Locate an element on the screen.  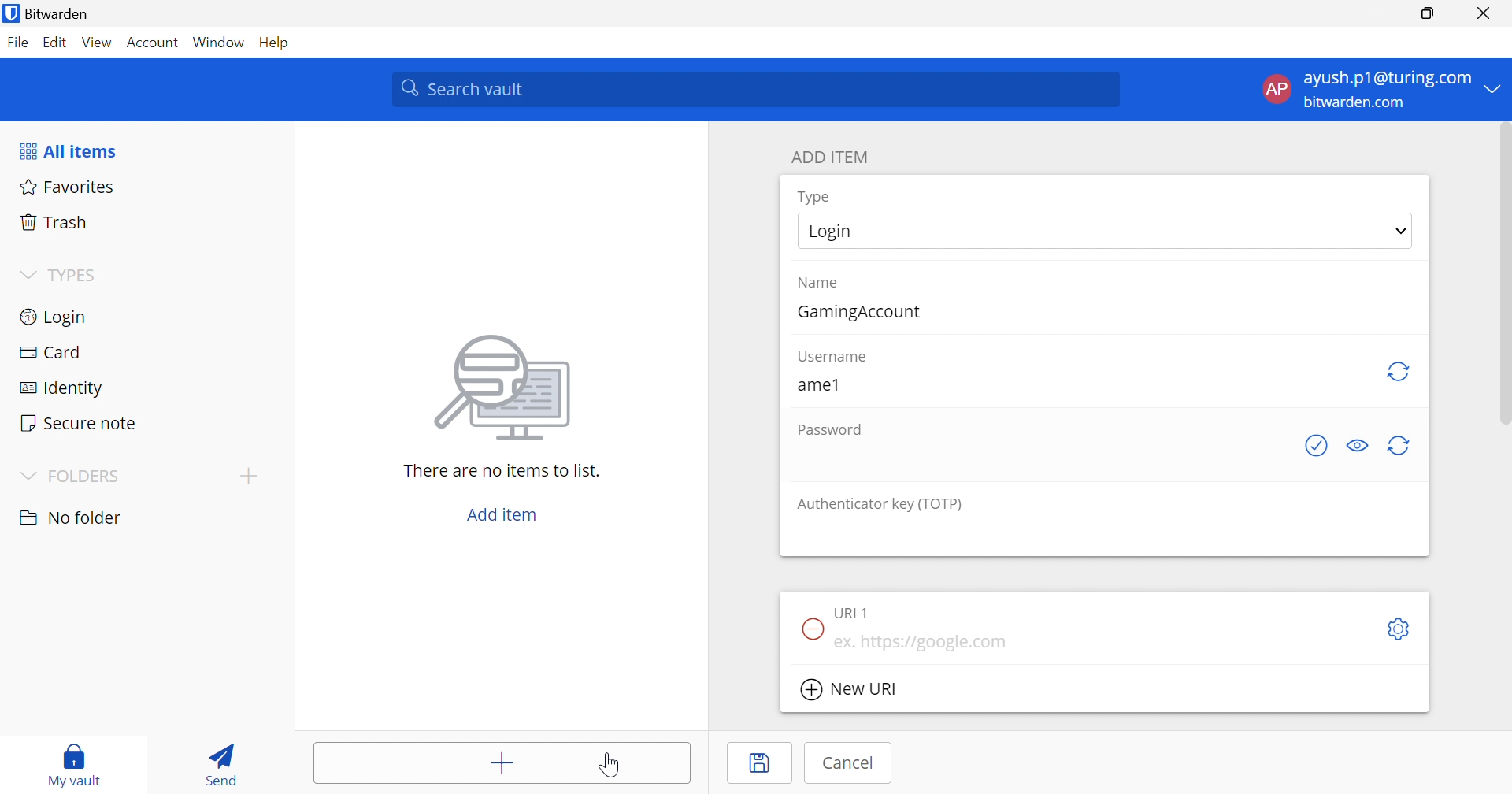
Password is located at coordinates (828, 431).